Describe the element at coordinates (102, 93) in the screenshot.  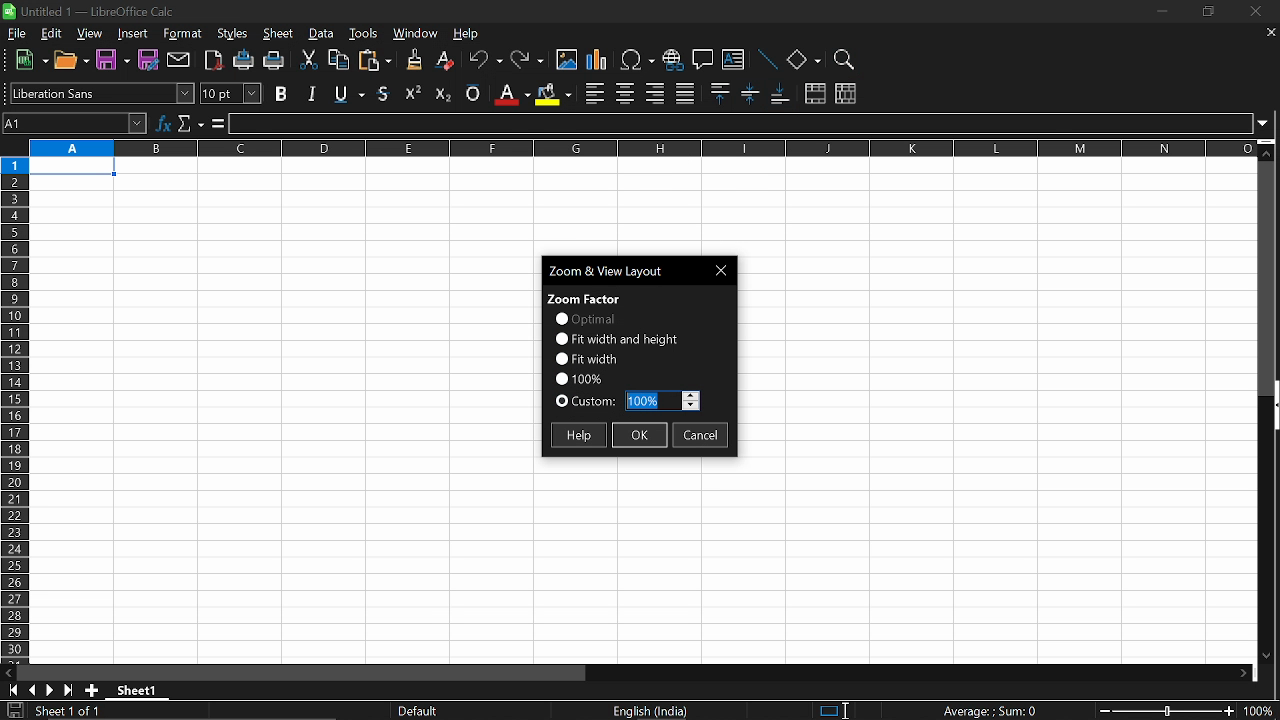
I see `text style` at that location.